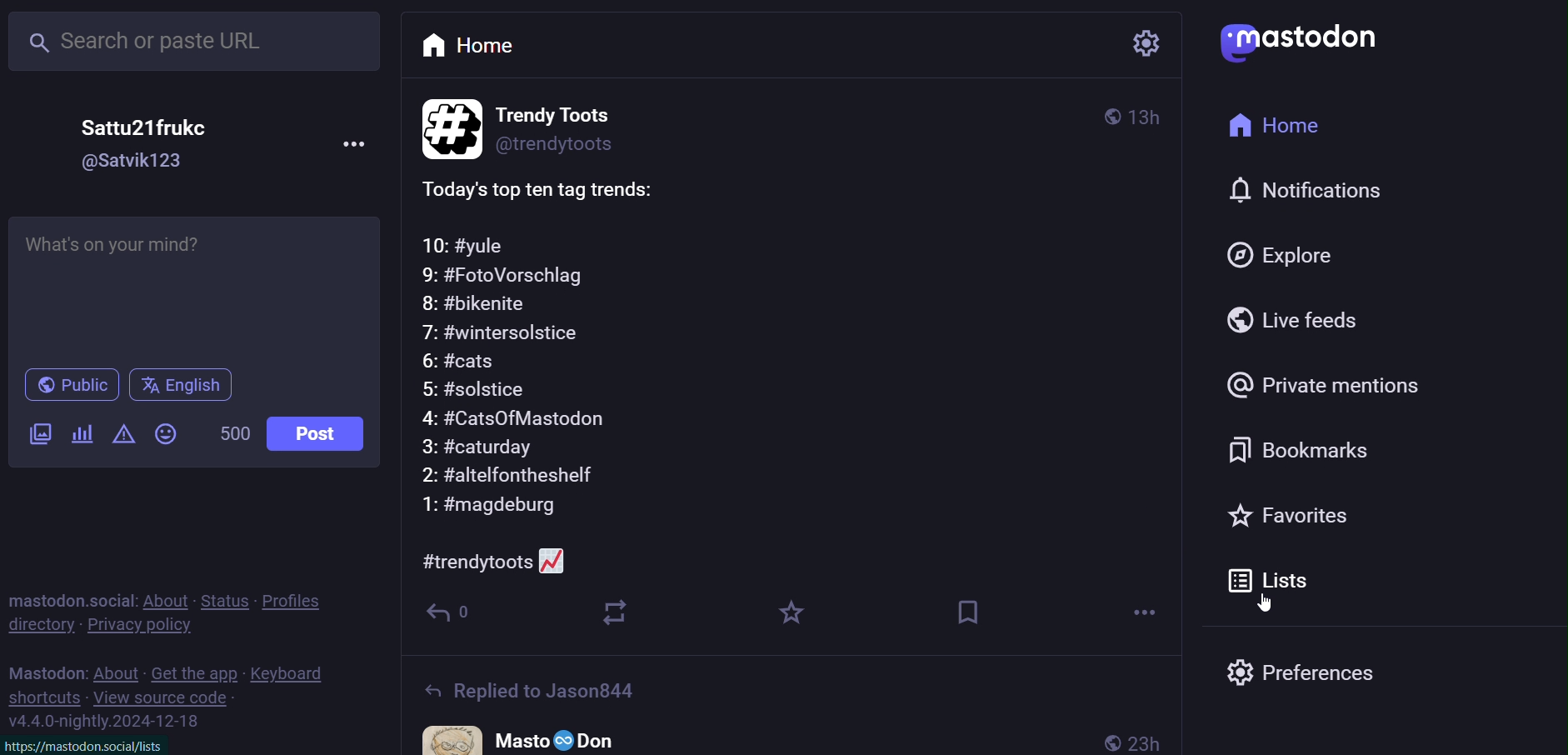 The image size is (1568, 755). I want to click on about, so click(165, 598).